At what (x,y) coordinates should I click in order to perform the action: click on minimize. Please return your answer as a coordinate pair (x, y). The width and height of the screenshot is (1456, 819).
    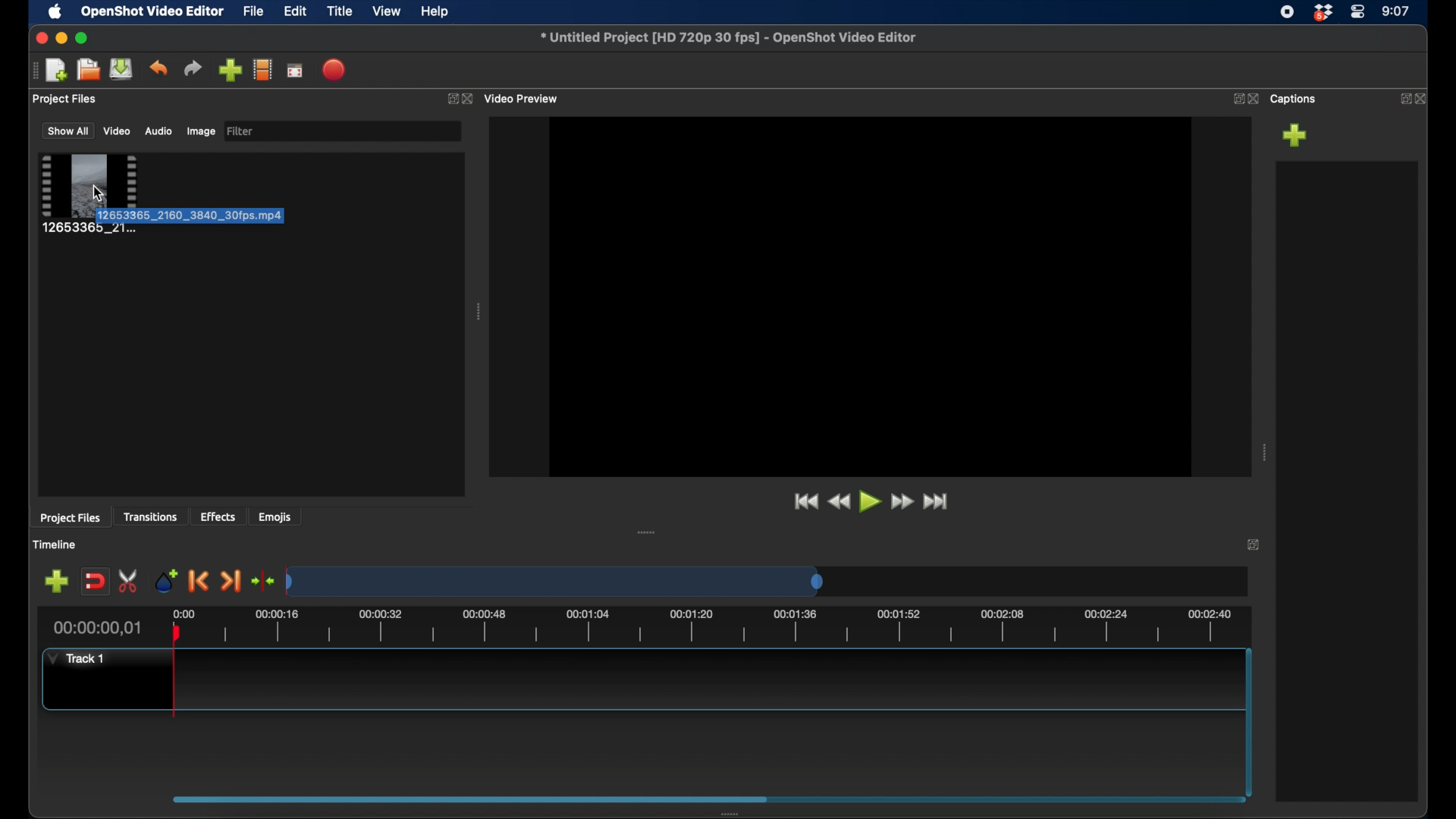
    Looking at the image, I should click on (63, 38).